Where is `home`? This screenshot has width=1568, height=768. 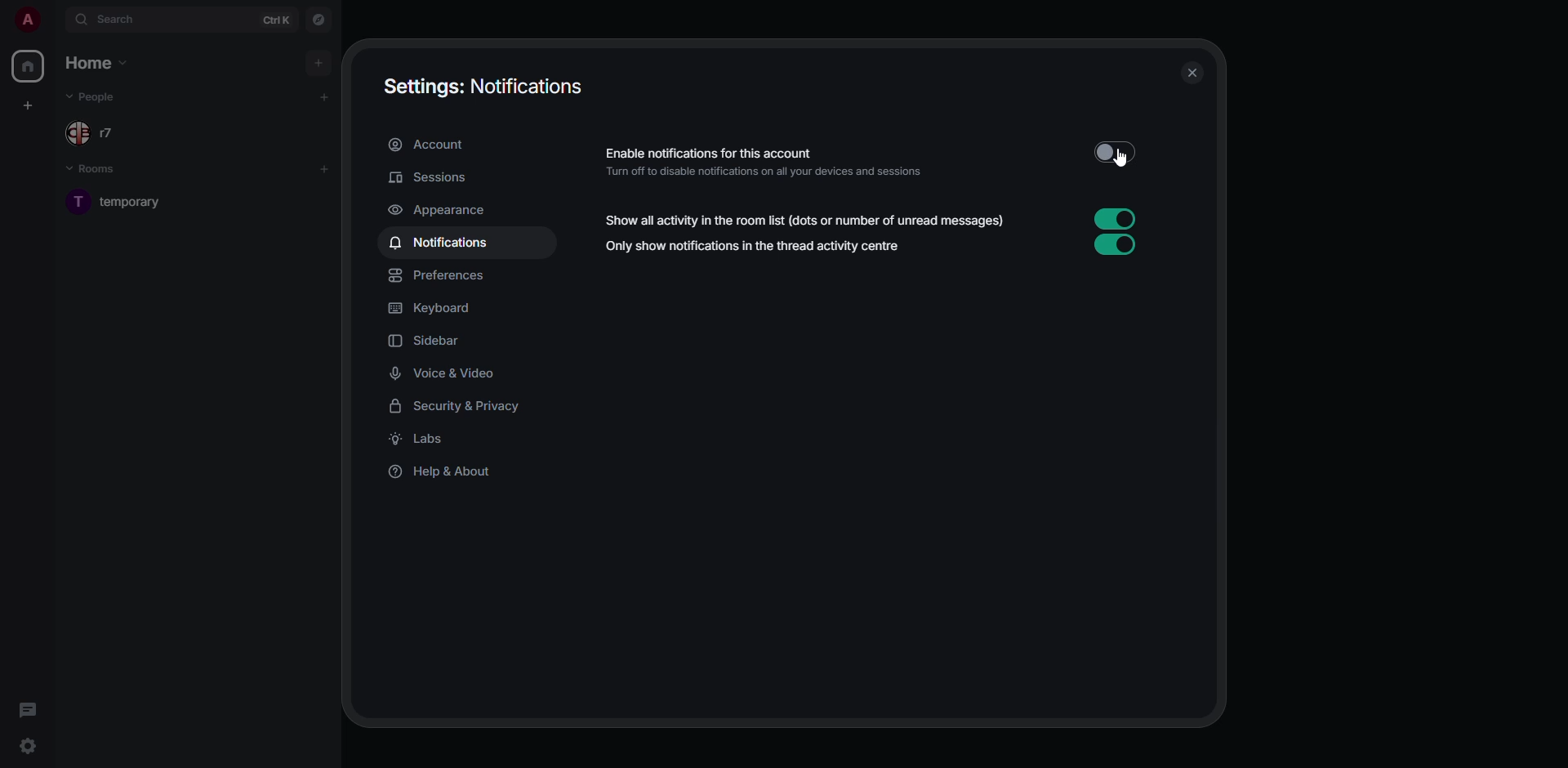
home is located at coordinates (31, 67).